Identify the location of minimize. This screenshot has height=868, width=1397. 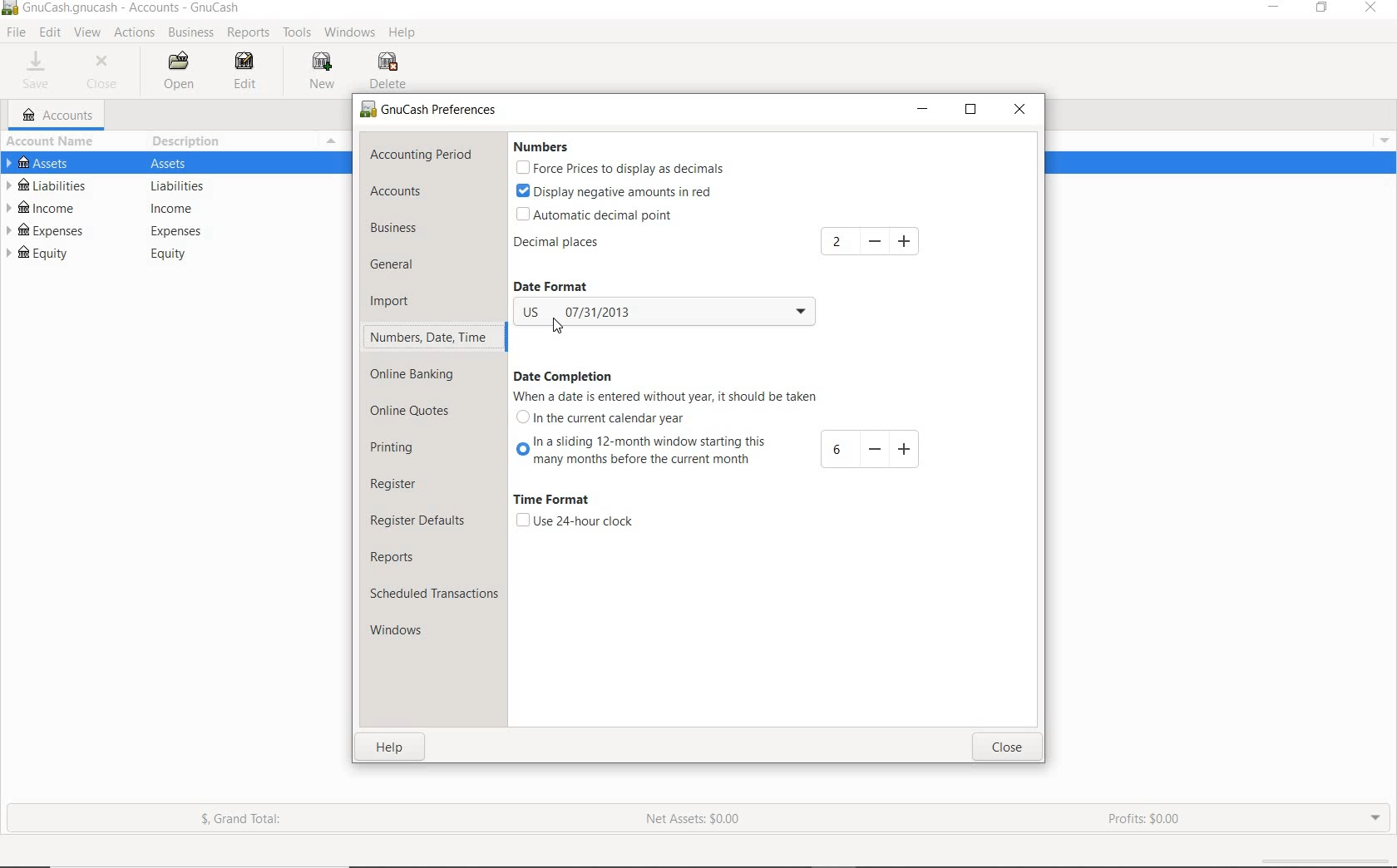
(924, 111).